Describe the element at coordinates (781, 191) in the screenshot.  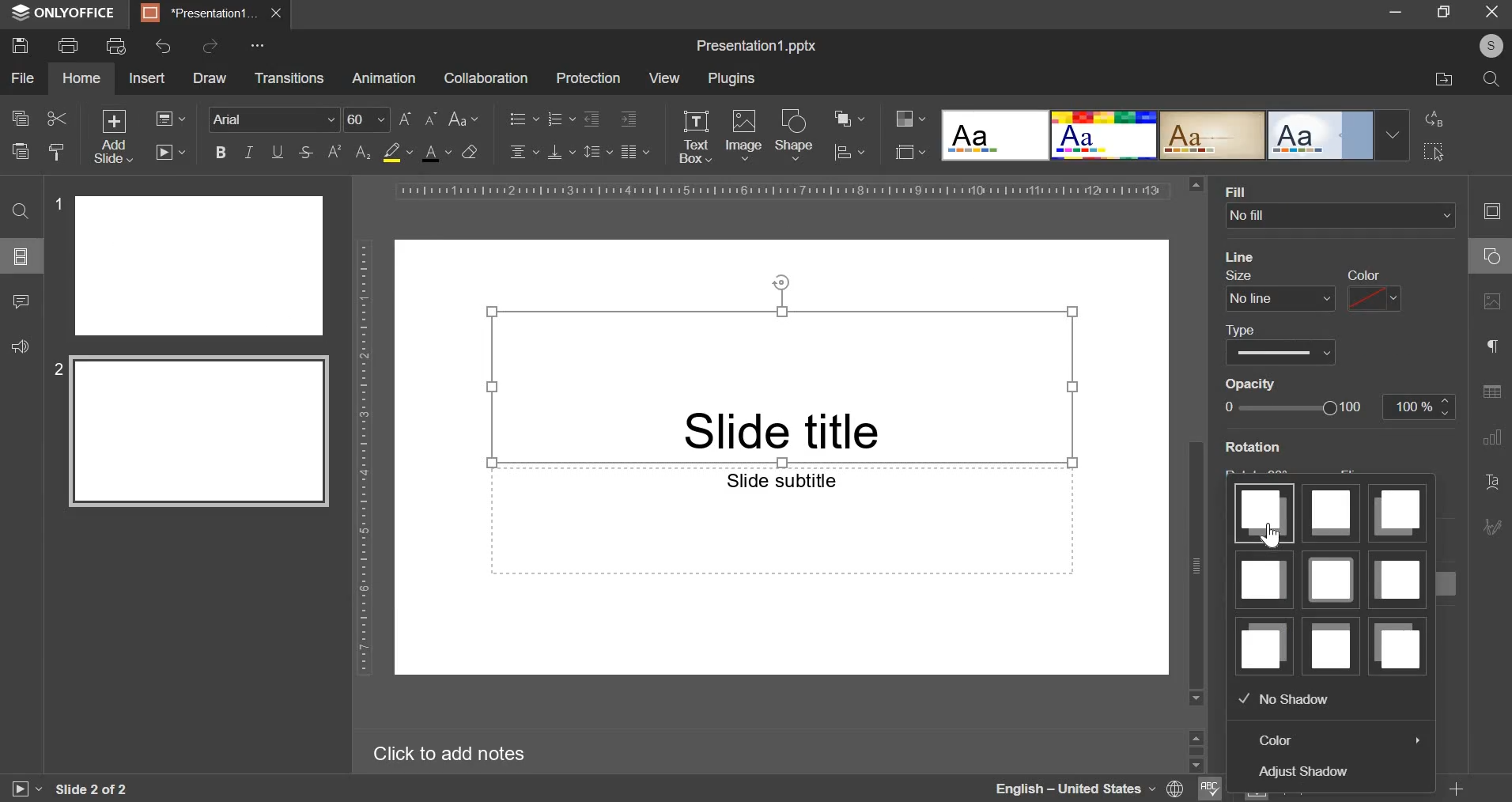
I see `horizontal scale` at that location.